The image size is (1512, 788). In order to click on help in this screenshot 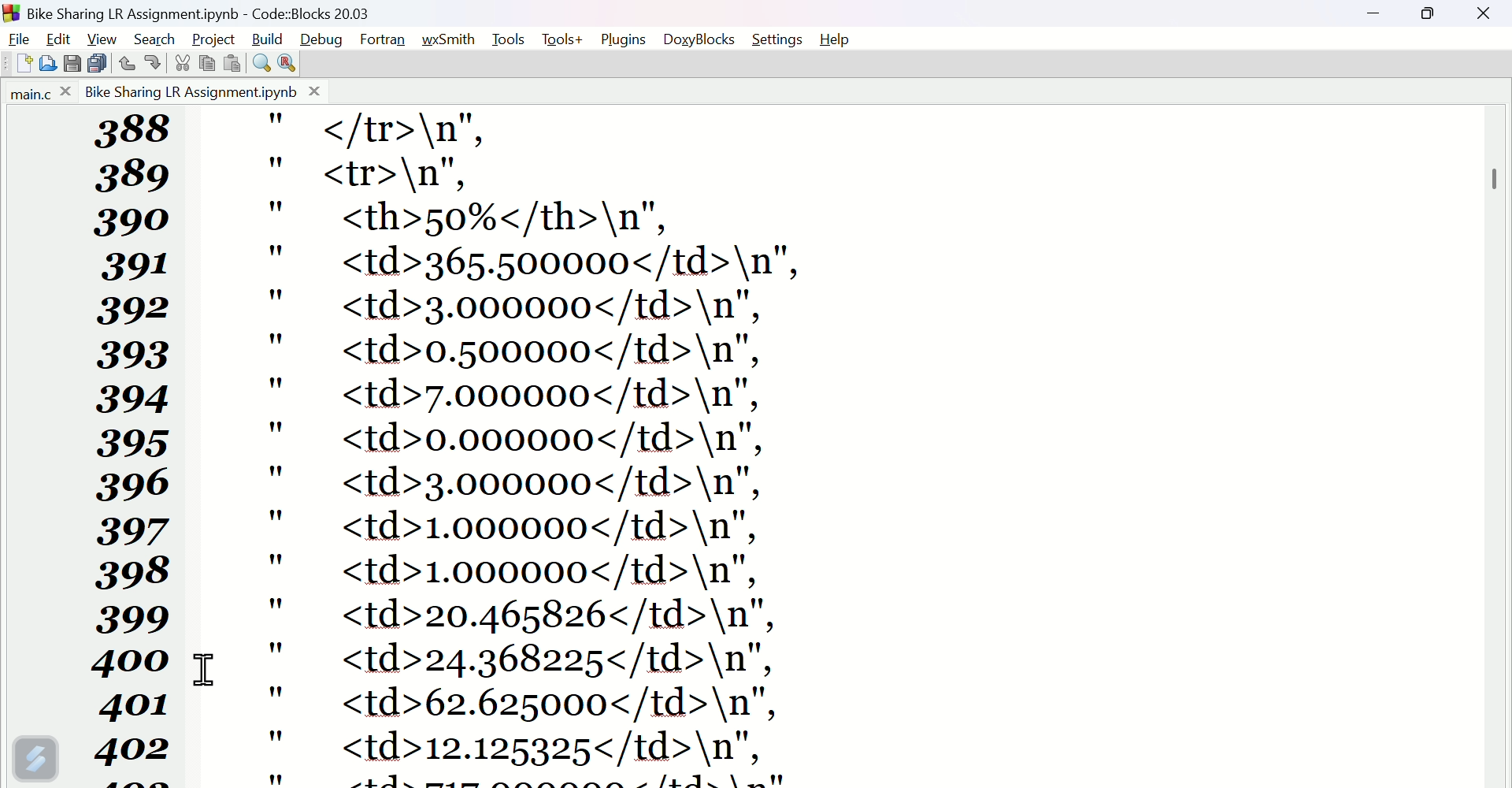, I will do `click(841, 38)`.